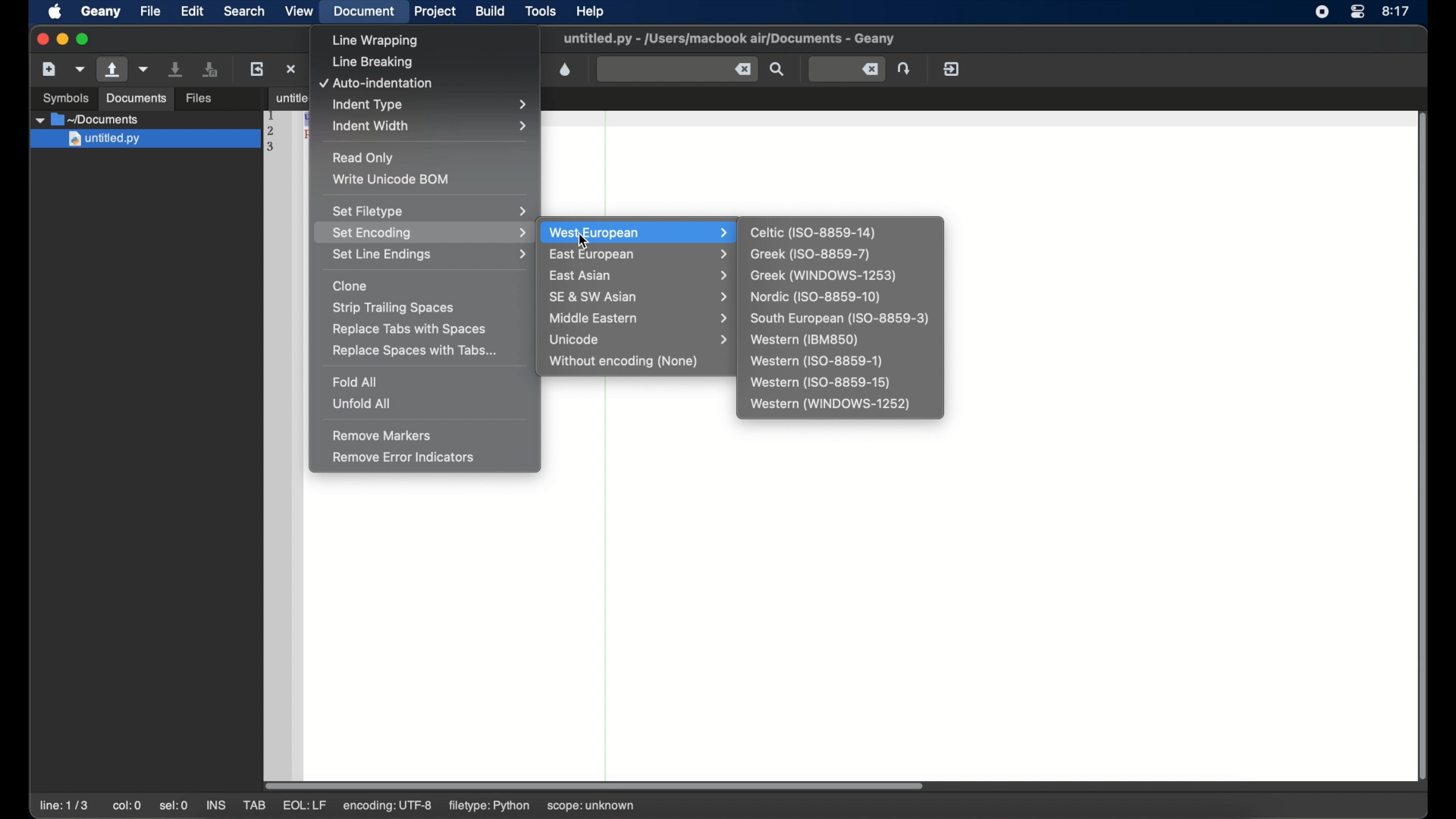 The width and height of the screenshot is (1456, 819). Describe the element at coordinates (393, 179) in the screenshot. I see `write unicode bom` at that location.